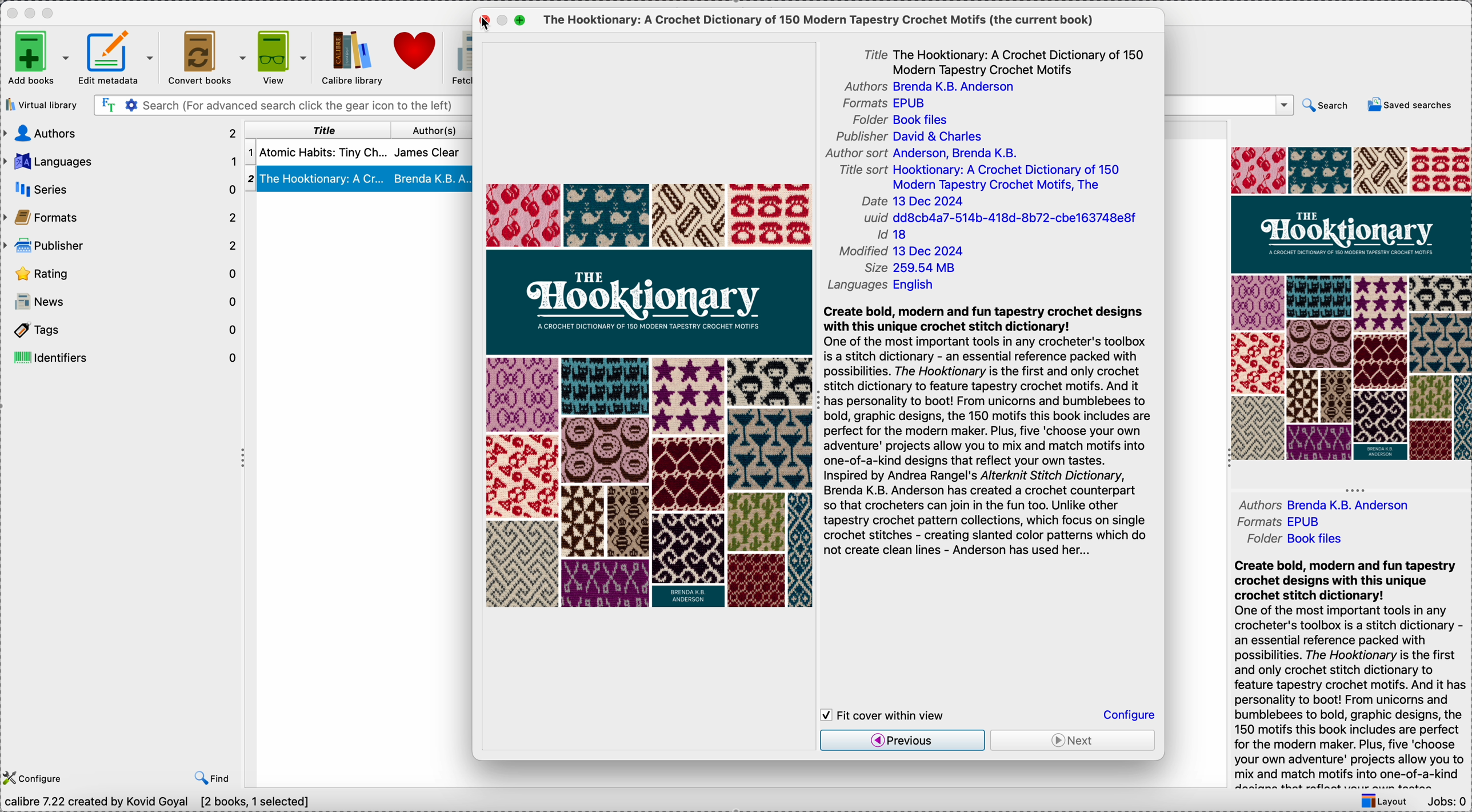 Image resolution: width=1472 pixels, height=812 pixels. What do you see at coordinates (285, 58) in the screenshot?
I see `view` at bounding box center [285, 58].